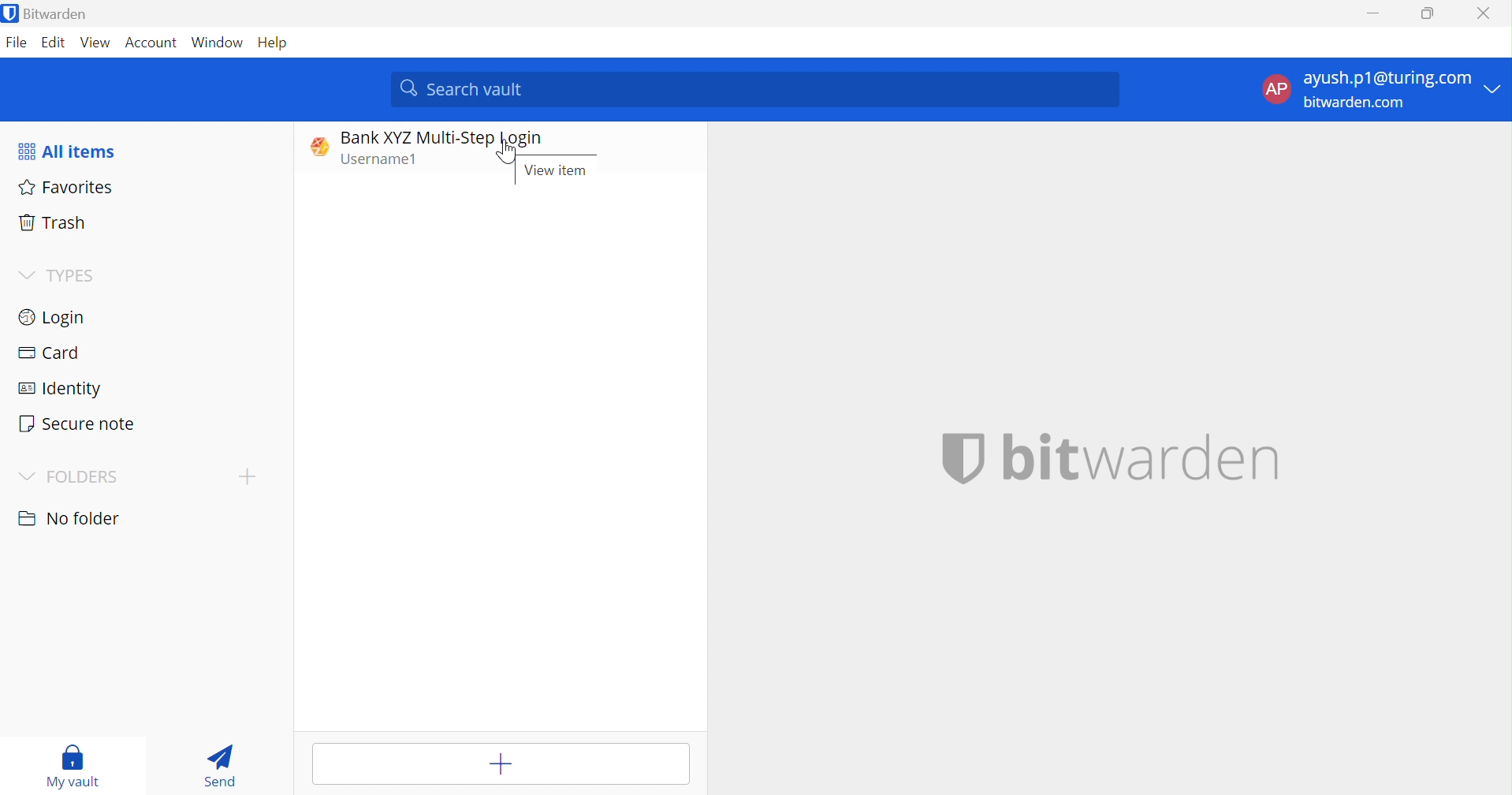 This screenshot has height=795, width=1512. Describe the element at coordinates (275, 44) in the screenshot. I see `Help` at that location.